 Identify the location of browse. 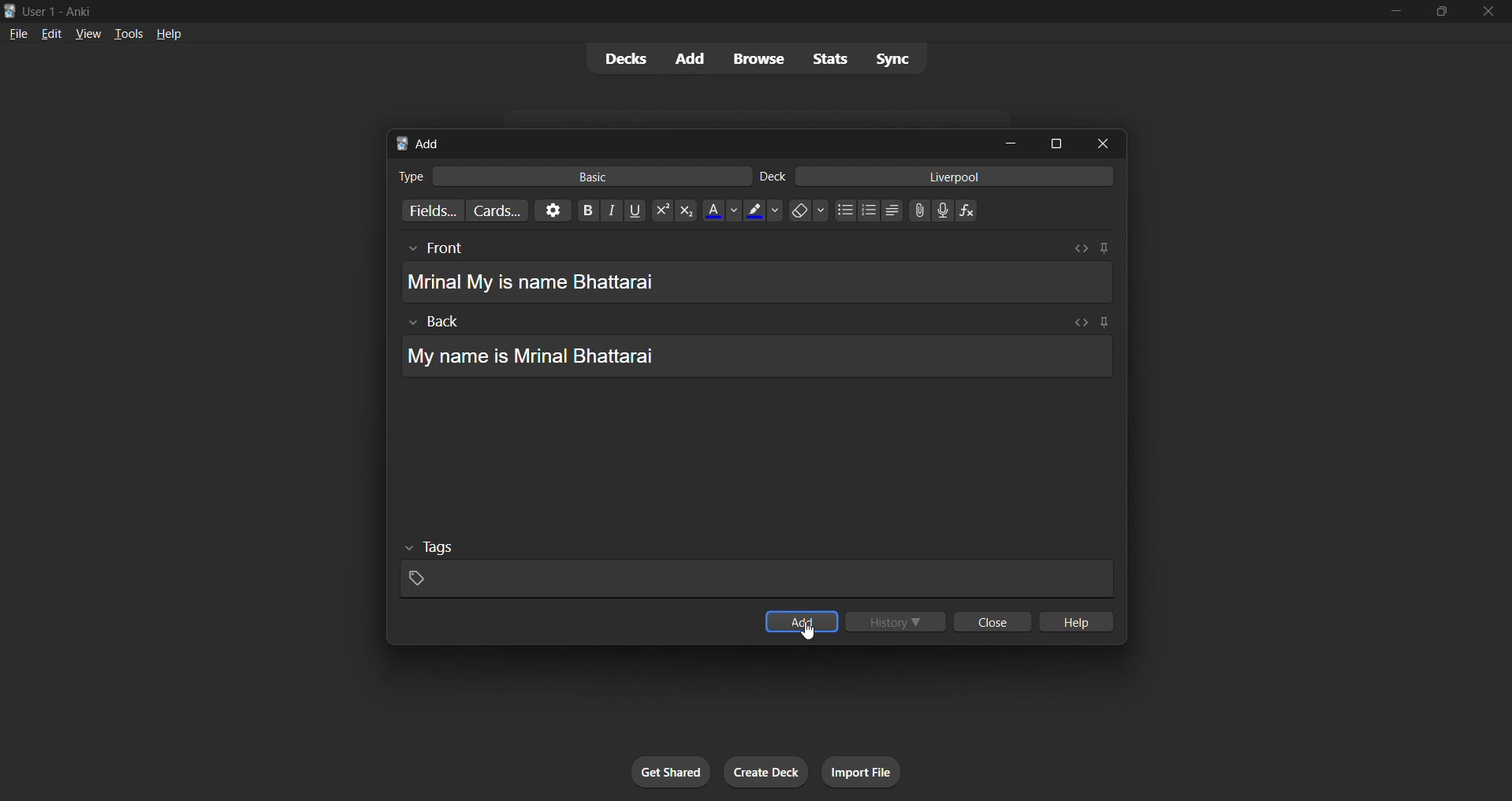
(752, 58).